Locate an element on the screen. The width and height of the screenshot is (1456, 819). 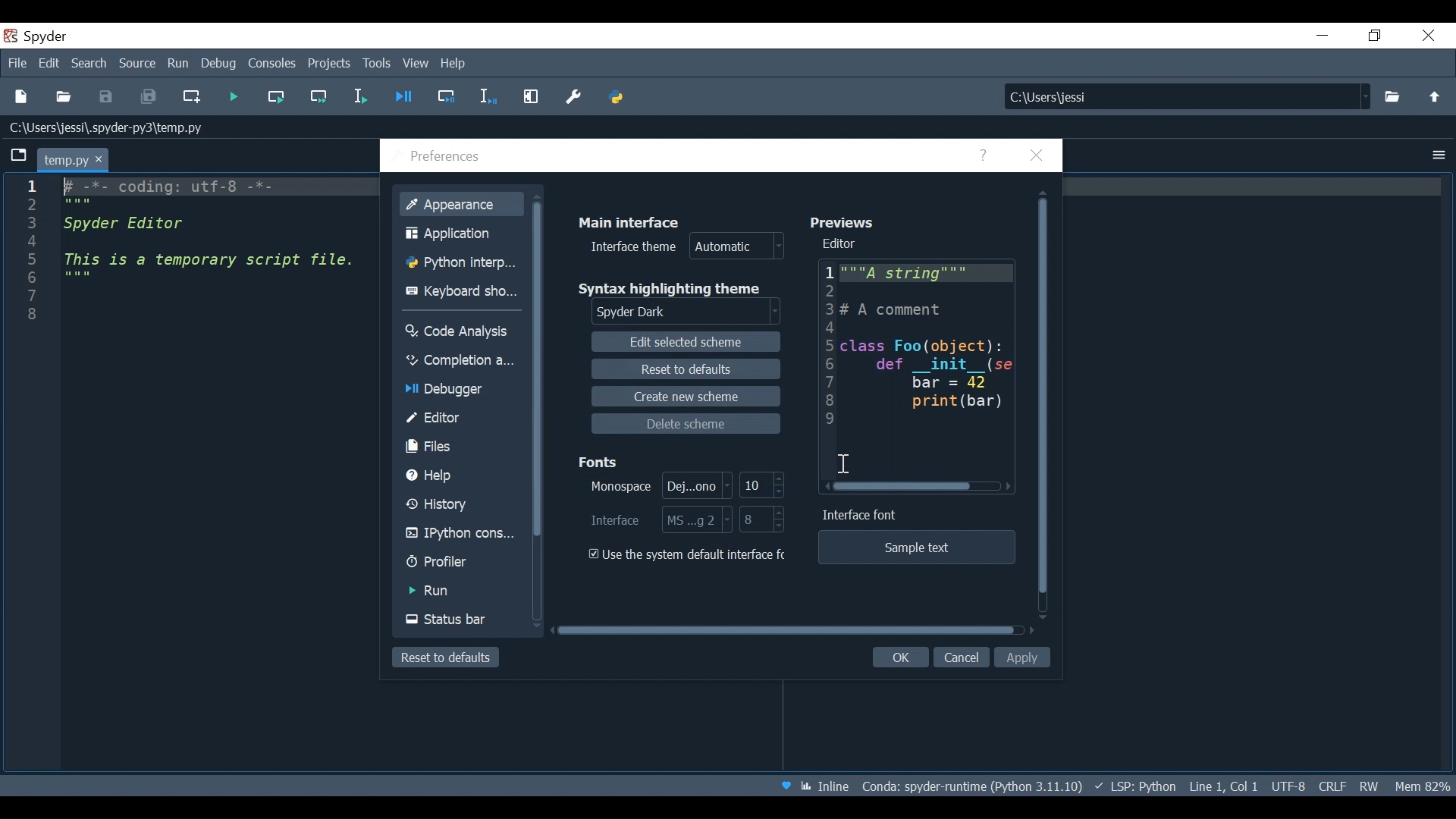
Create new scheme is located at coordinates (686, 396).